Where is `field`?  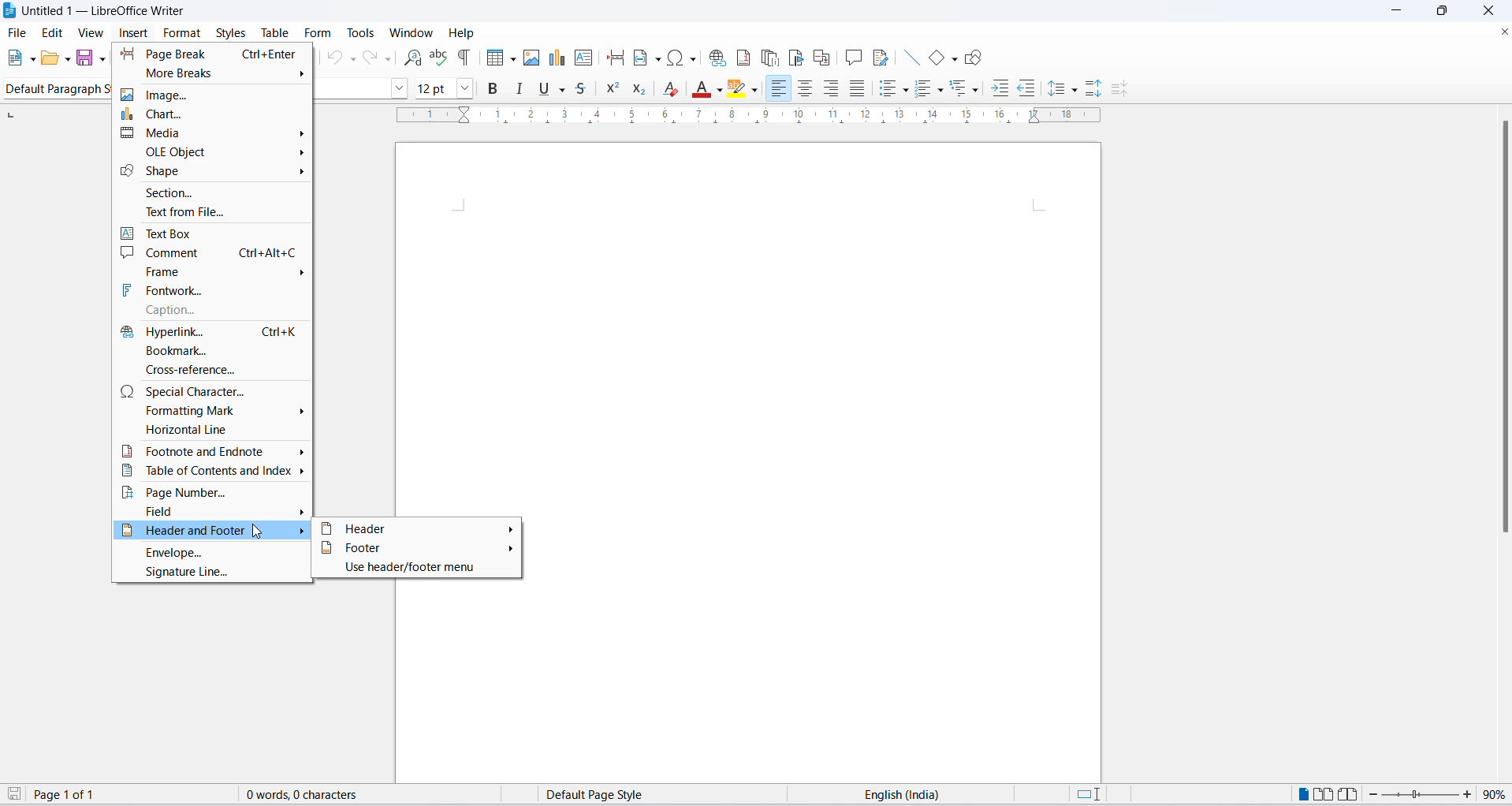
field is located at coordinates (214, 512).